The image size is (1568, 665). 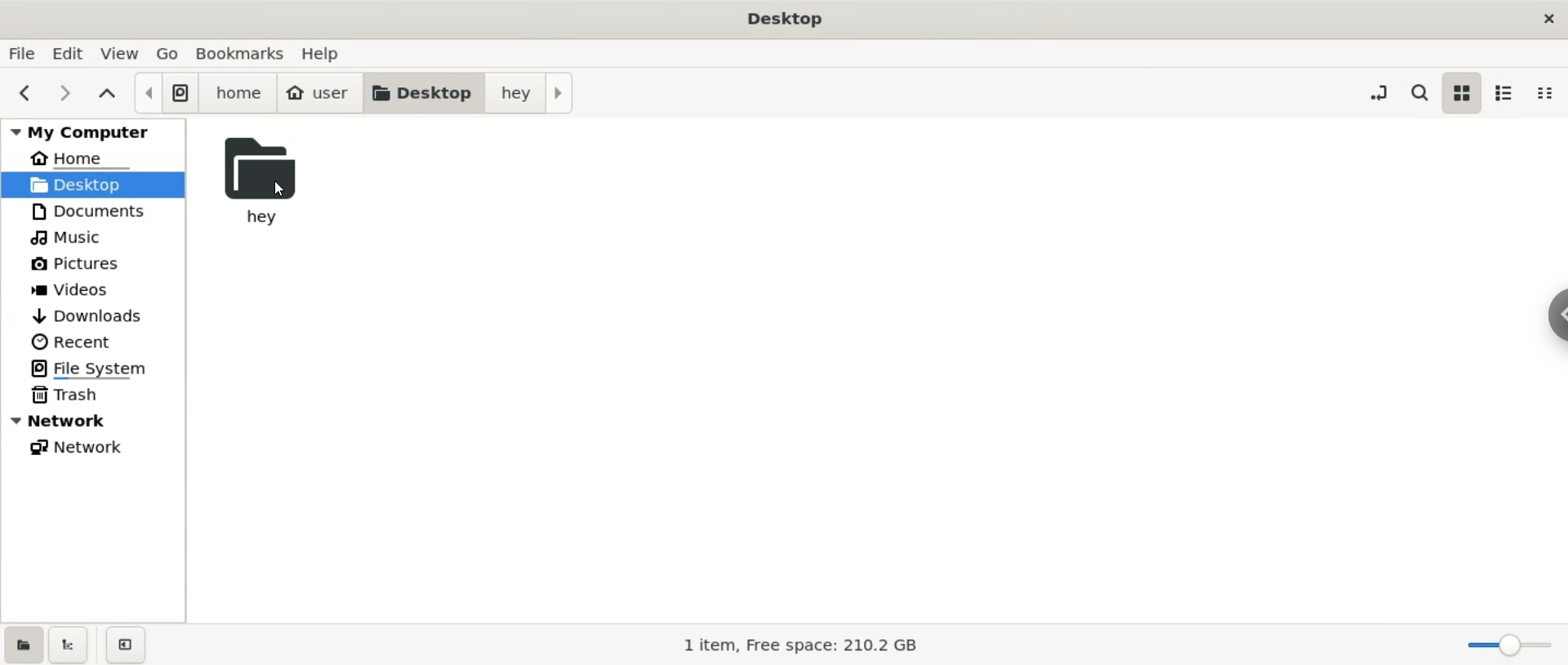 What do you see at coordinates (319, 94) in the screenshot?
I see `user` at bounding box center [319, 94].